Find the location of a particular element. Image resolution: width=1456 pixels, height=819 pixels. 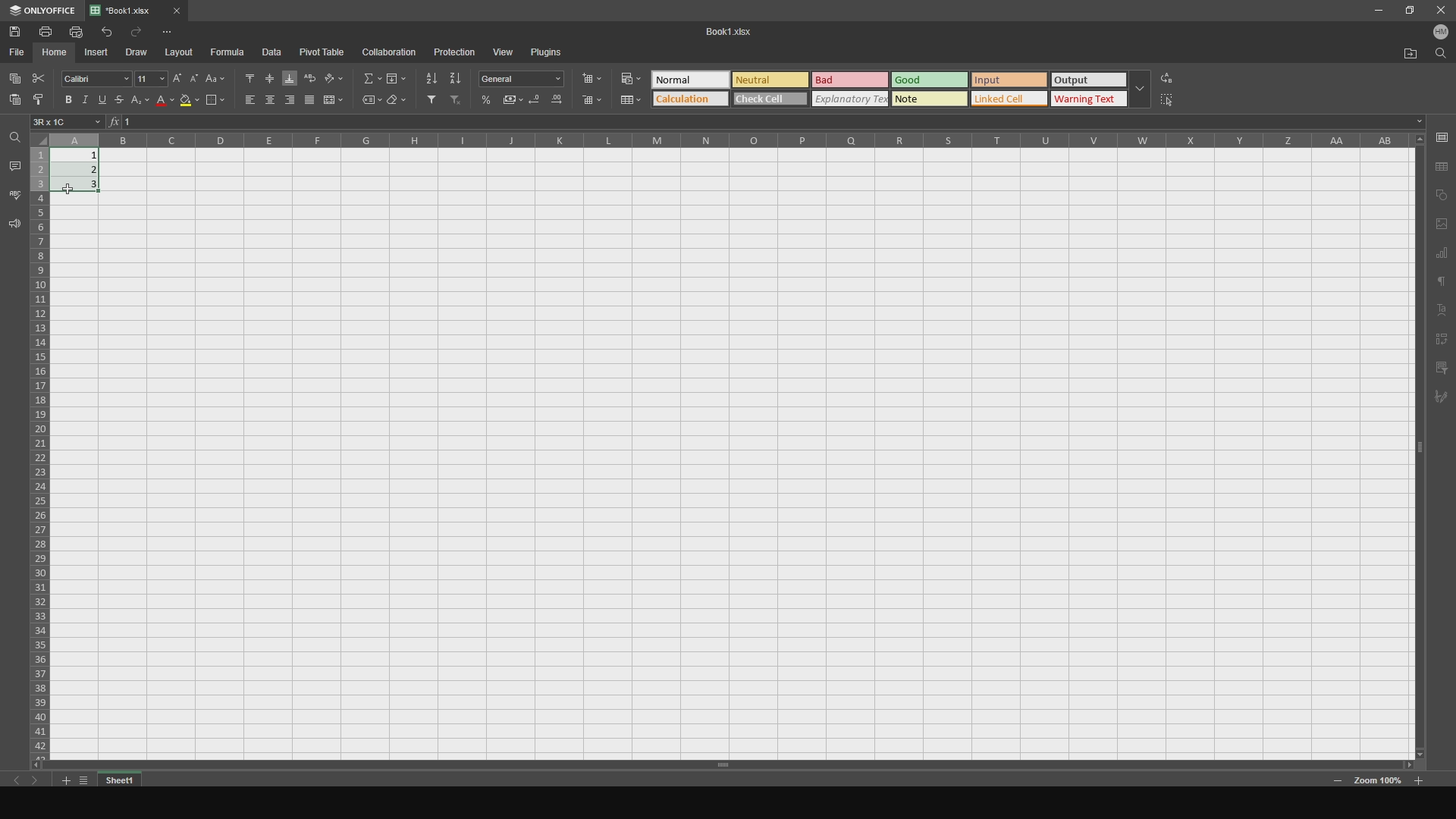

align buttom is located at coordinates (289, 76).